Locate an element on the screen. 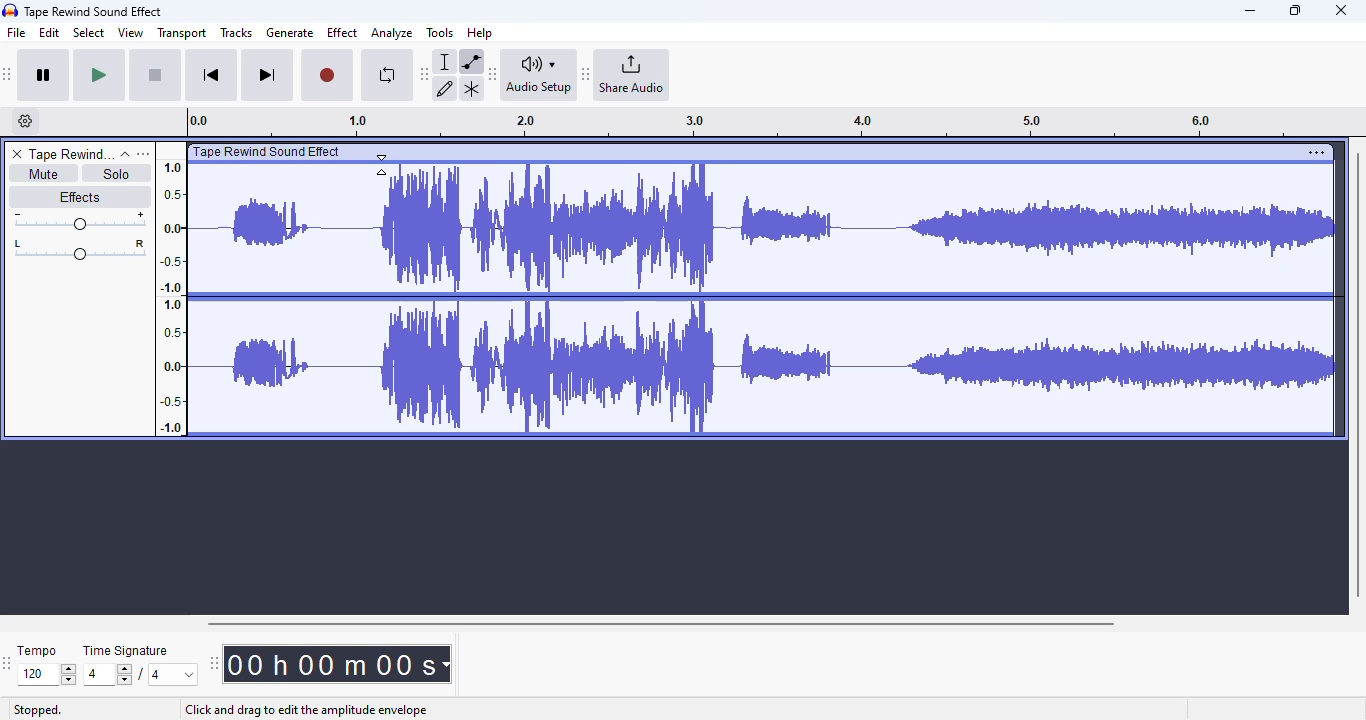  timeline options is located at coordinates (26, 121).